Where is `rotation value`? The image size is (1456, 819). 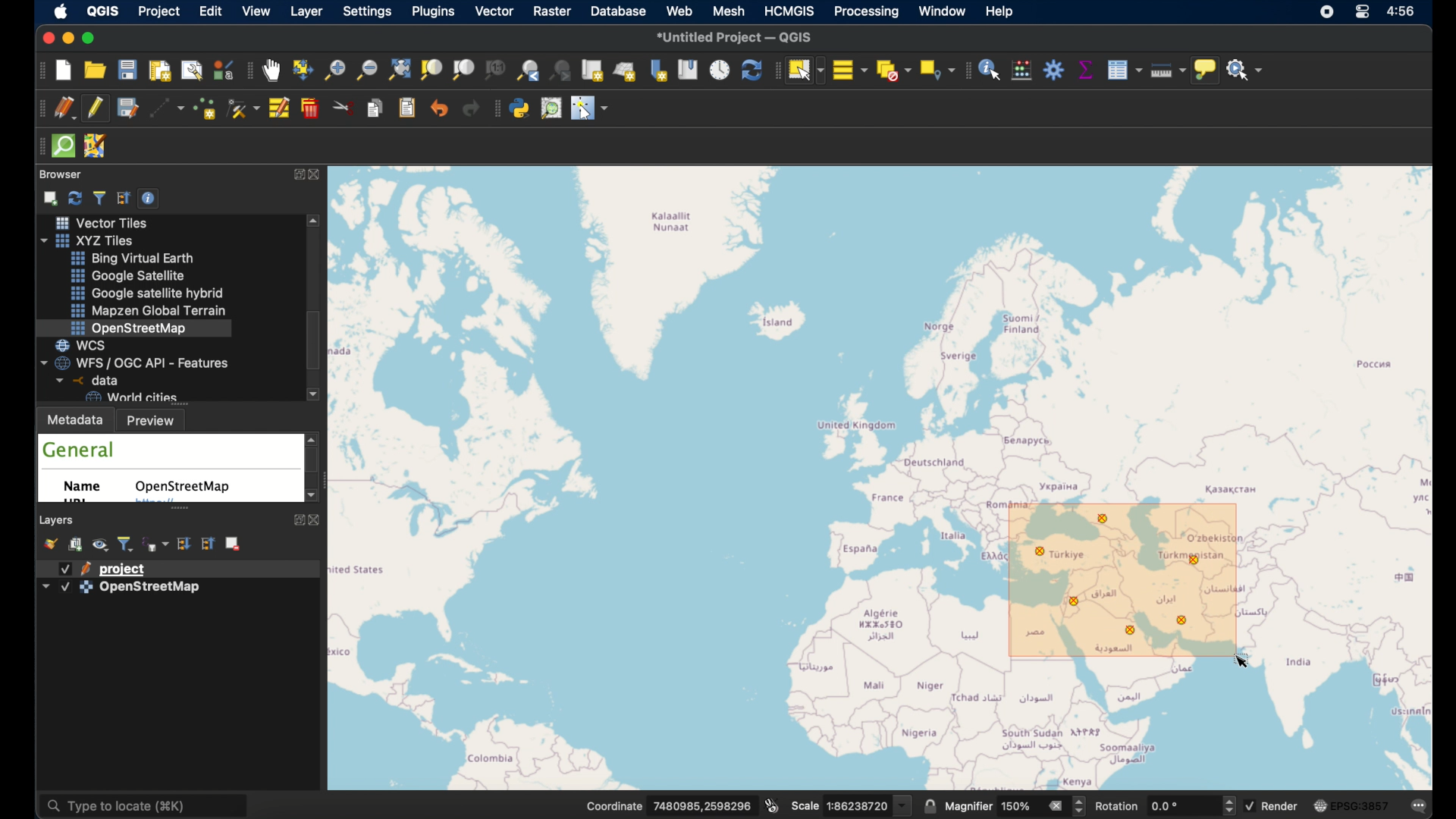 rotation value is located at coordinates (1168, 805).